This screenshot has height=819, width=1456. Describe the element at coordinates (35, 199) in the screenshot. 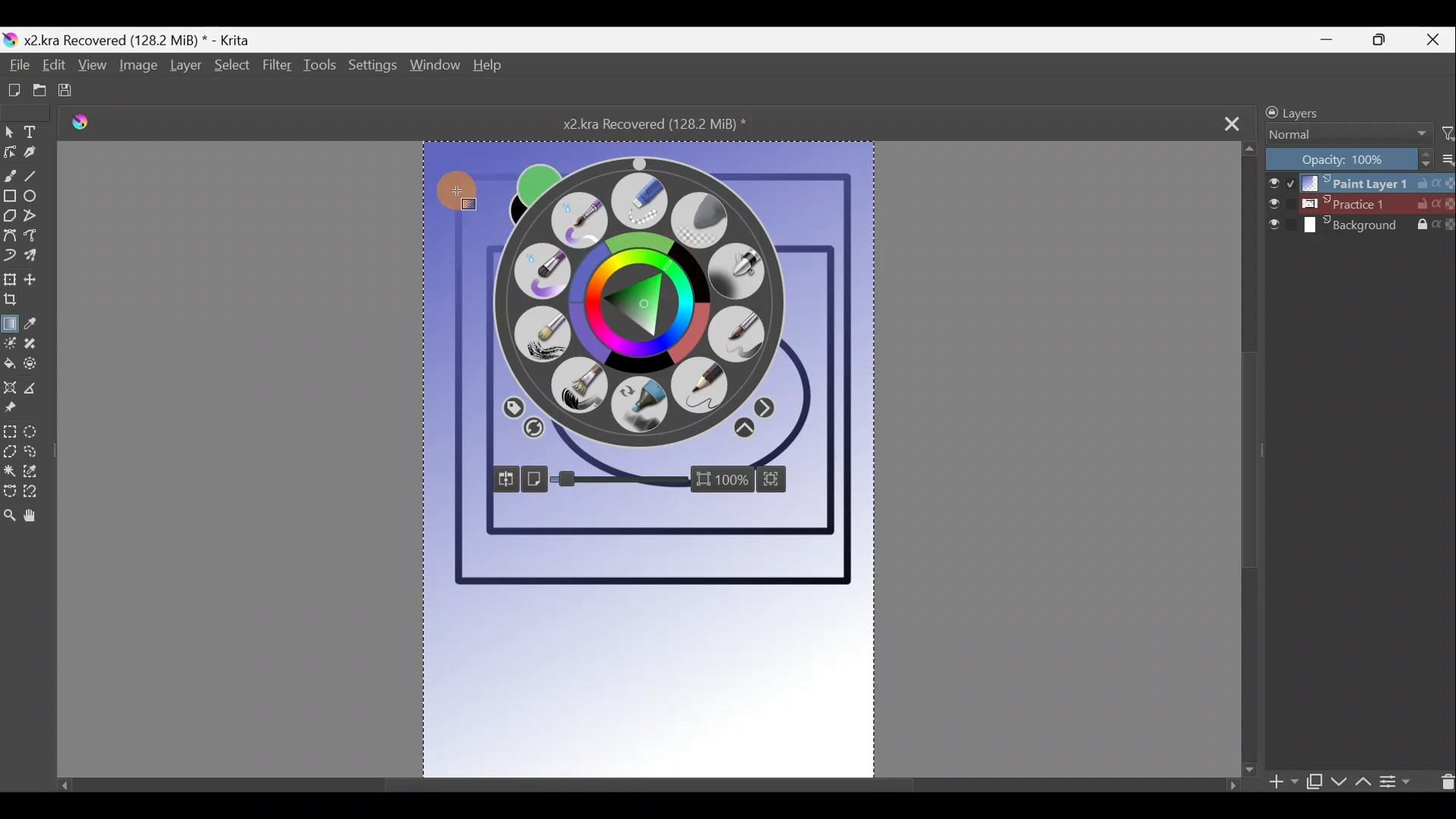

I see `Ellipse tool` at that location.